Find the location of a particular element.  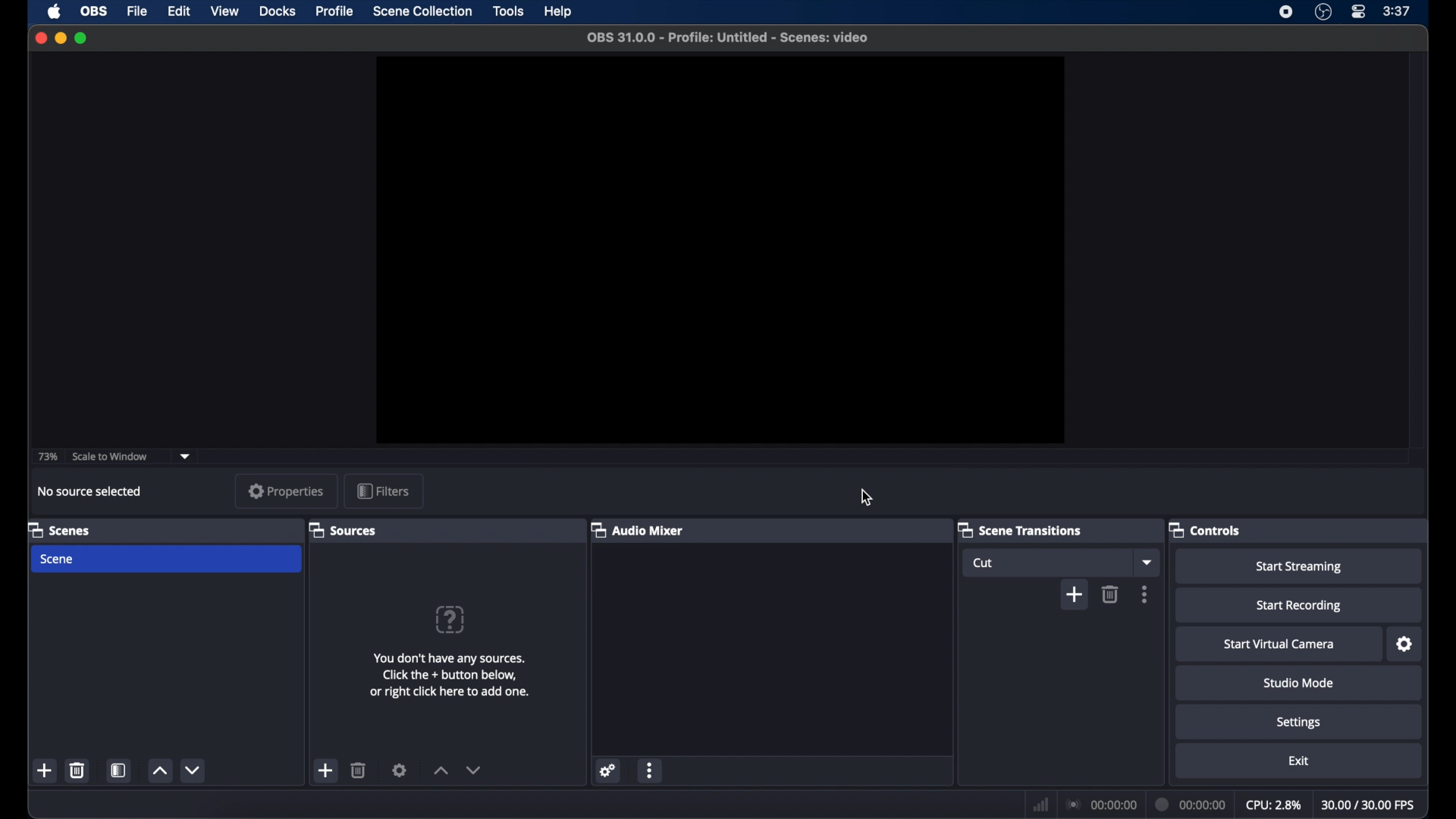

studio mode is located at coordinates (1301, 683).